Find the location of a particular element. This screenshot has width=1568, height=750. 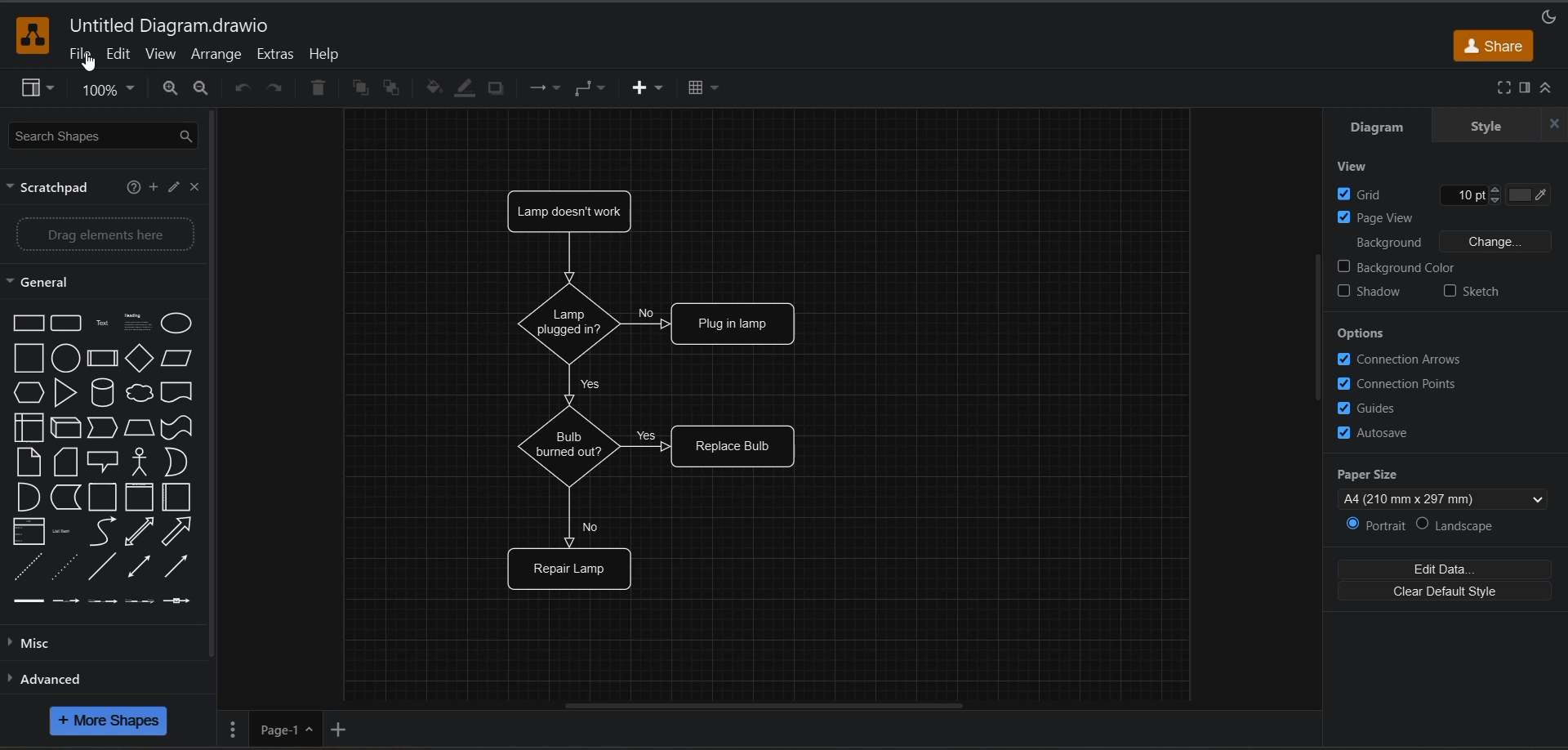

delete is located at coordinates (322, 87).